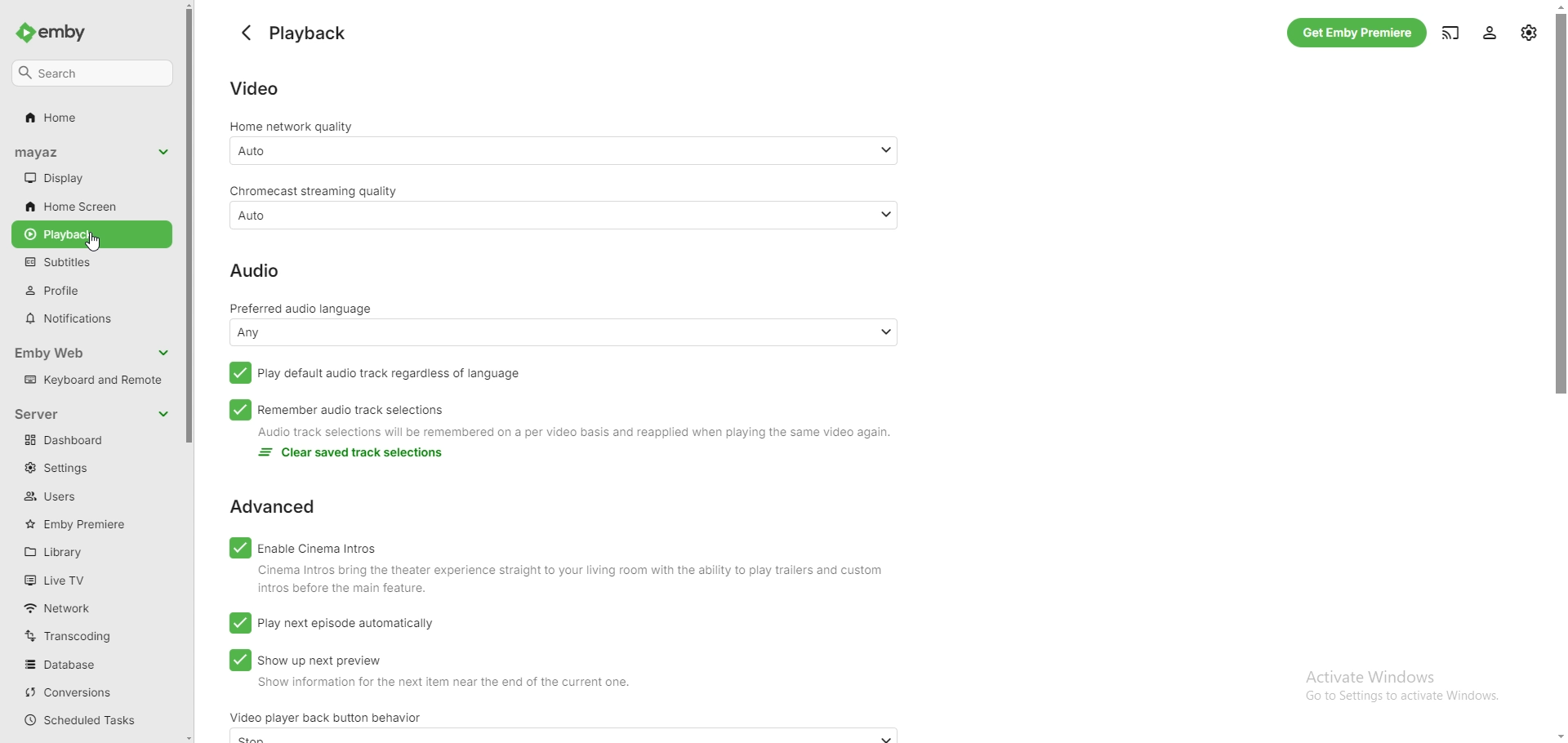  I want to click on display, so click(80, 178).